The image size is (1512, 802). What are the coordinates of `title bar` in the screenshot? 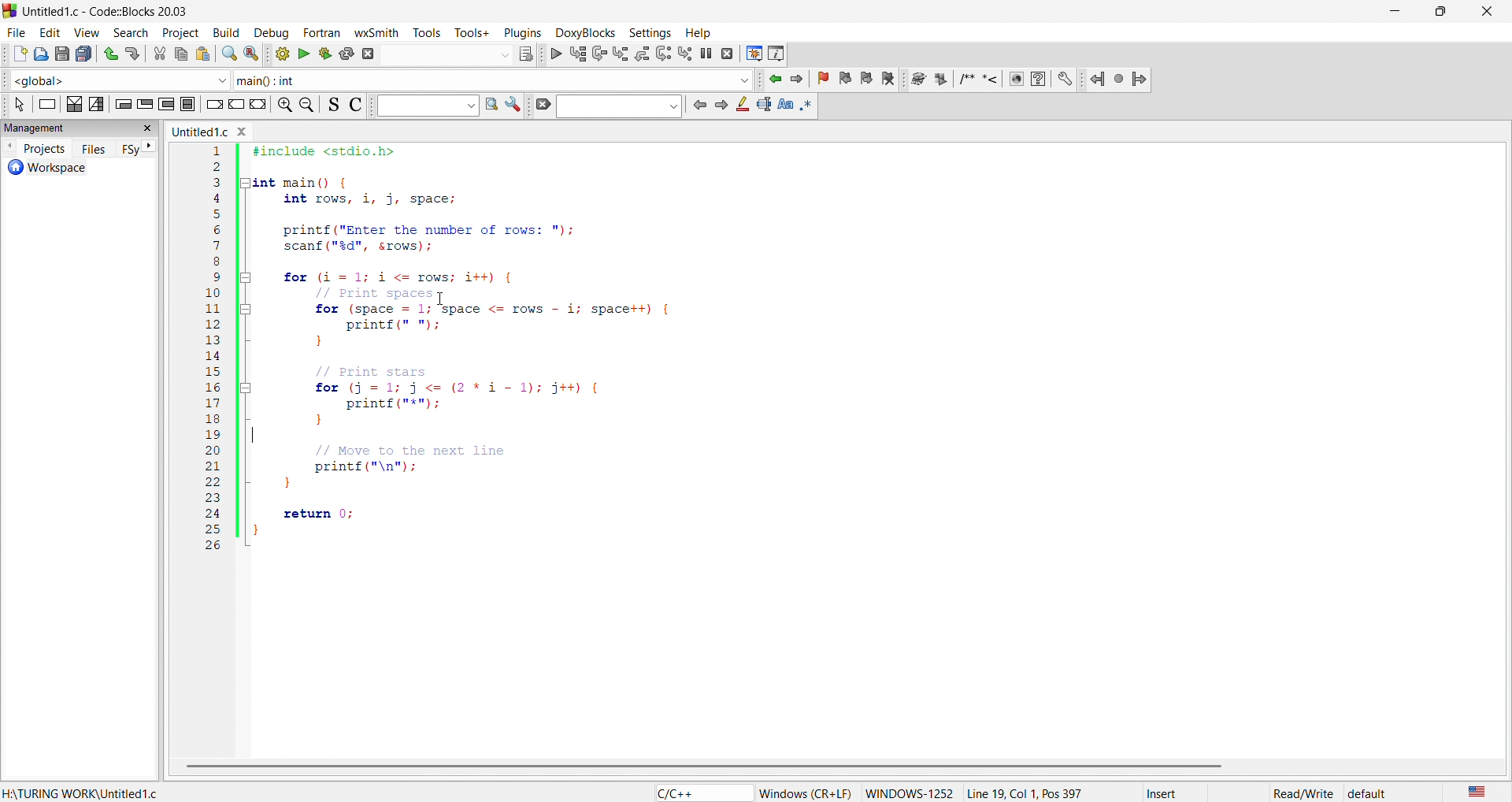 It's located at (110, 12).